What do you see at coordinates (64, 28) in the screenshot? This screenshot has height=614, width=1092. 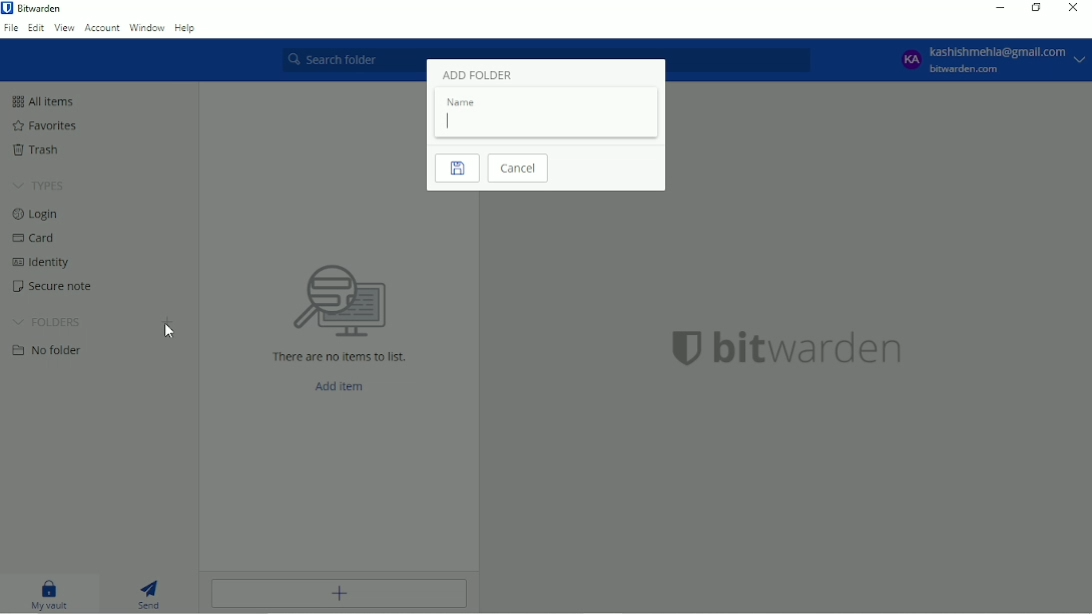 I see `View` at bounding box center [64, 28].